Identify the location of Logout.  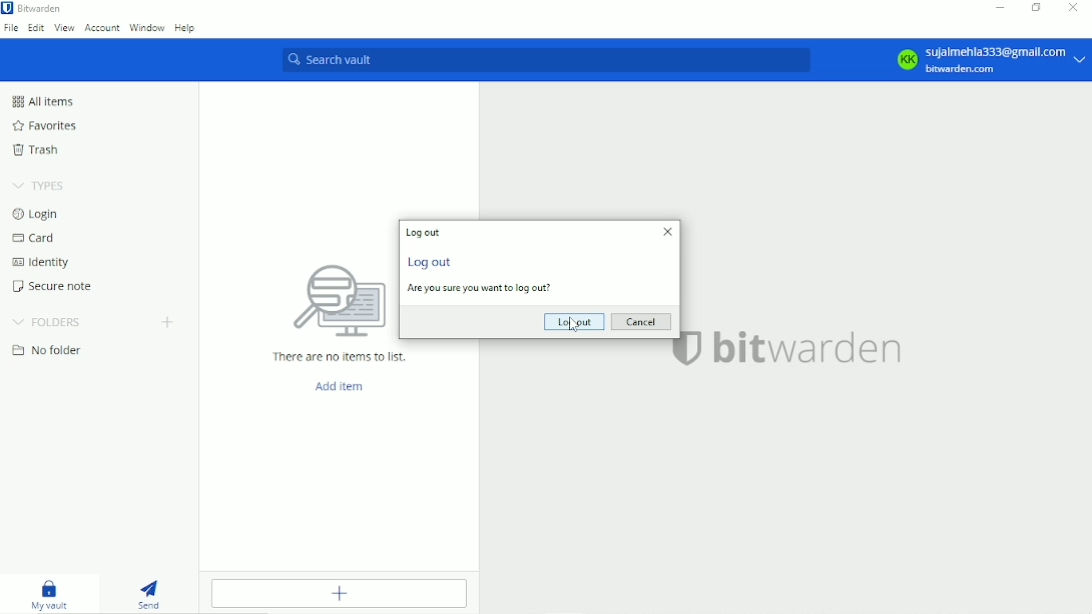
(574, 322).